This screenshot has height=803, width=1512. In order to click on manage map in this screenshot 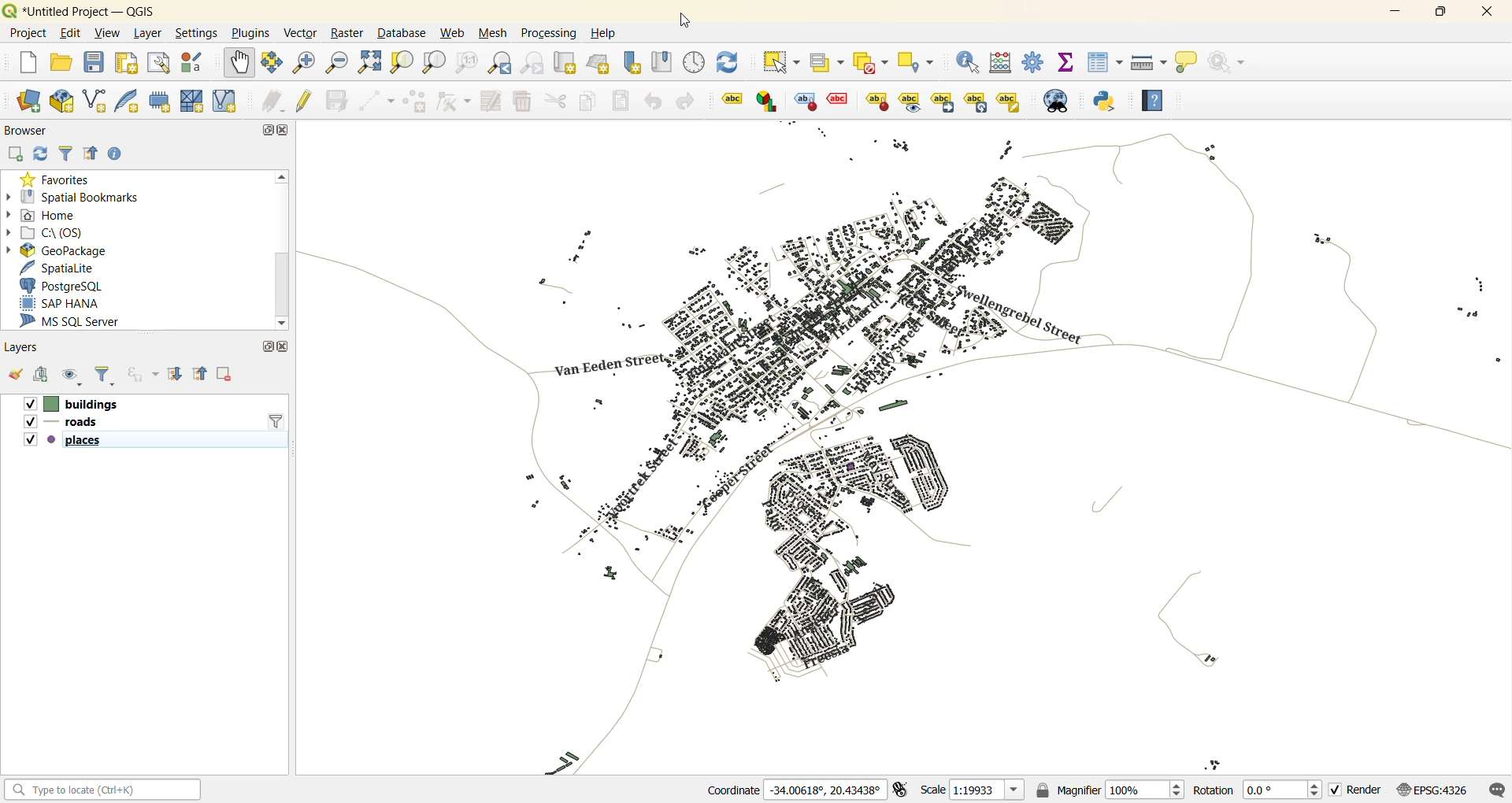, I will do `click(72, 376)`.